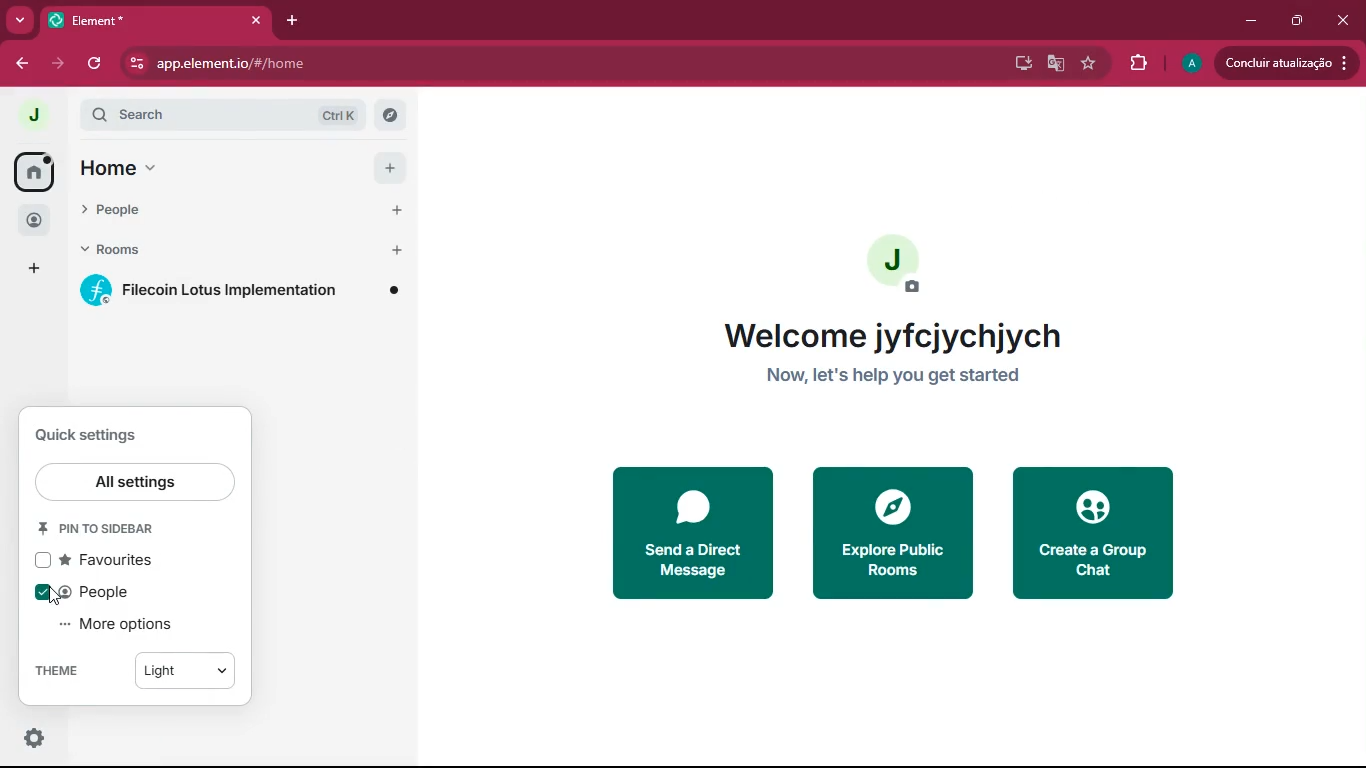  What do you see at coordinates (398, 250) in the screenshot?
I see `Add room` at bounding box center [398, 250].